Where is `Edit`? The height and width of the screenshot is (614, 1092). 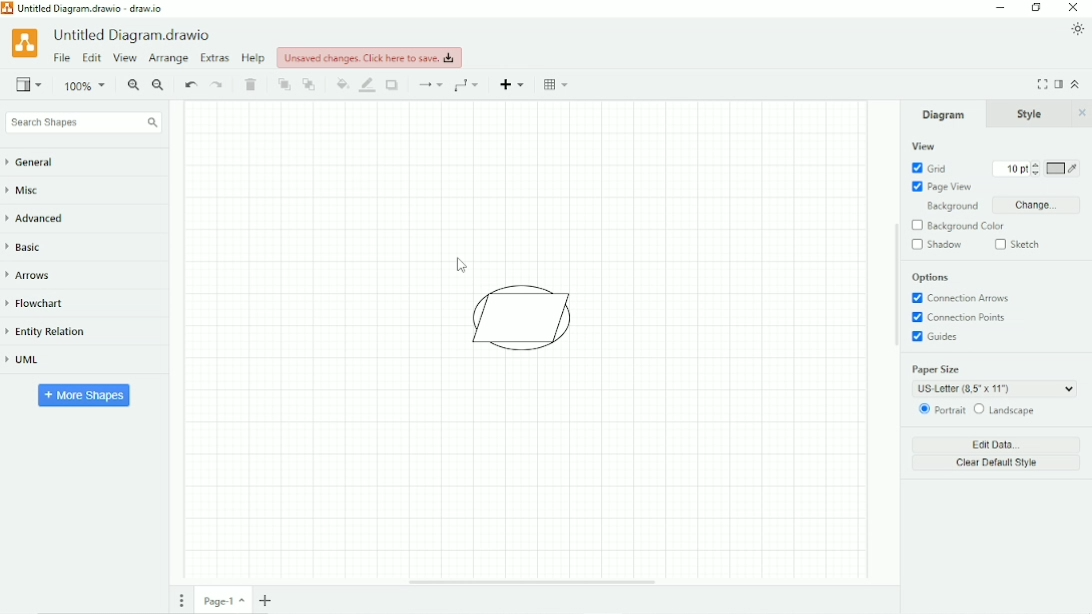 Edit is located at coordinates (91, 59).